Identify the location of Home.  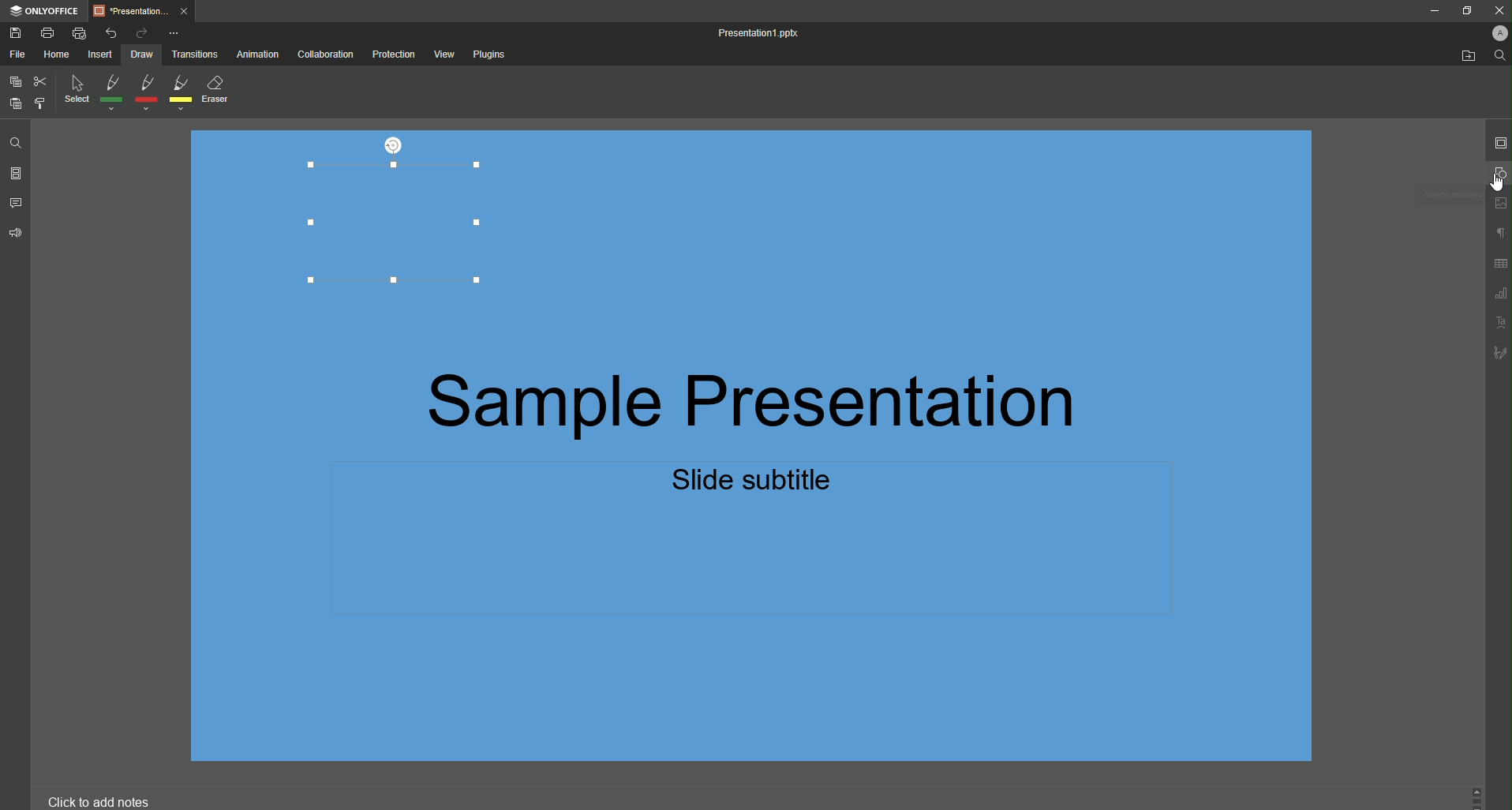
(55, 54).